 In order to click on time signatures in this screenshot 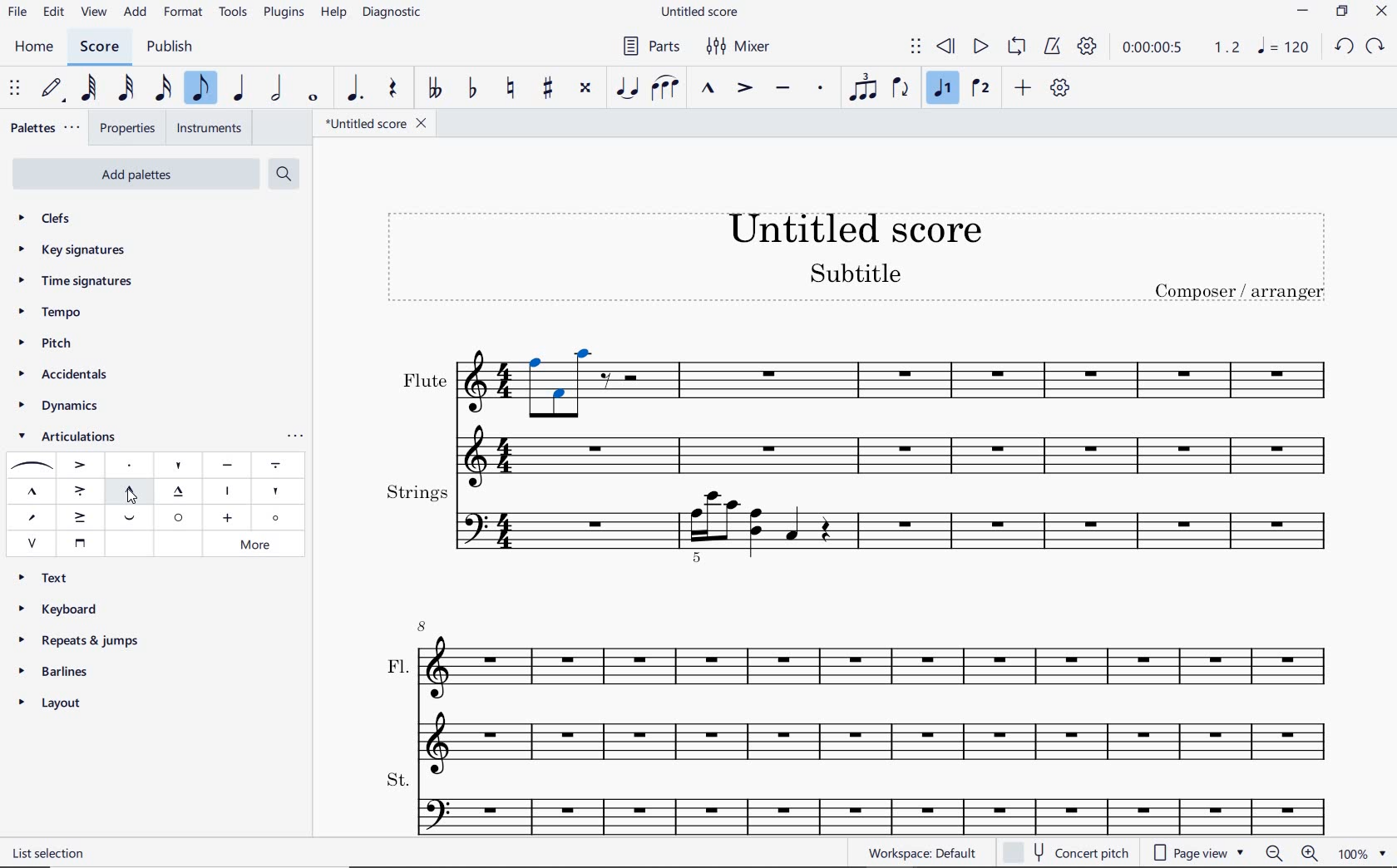, I will do `click(74, 279)`.